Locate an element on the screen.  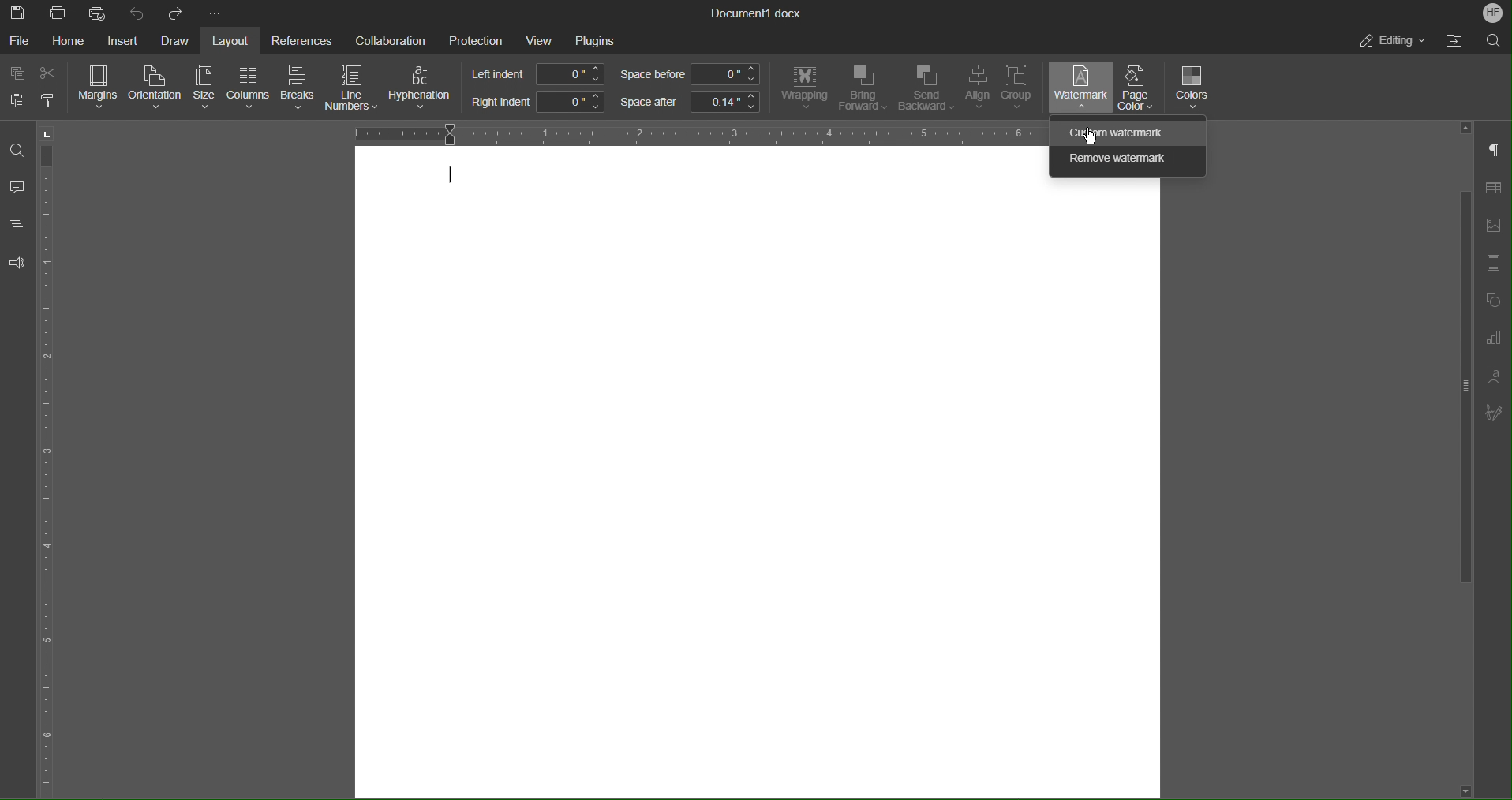
Vertical Ruler is located at coordinates (50, 459).